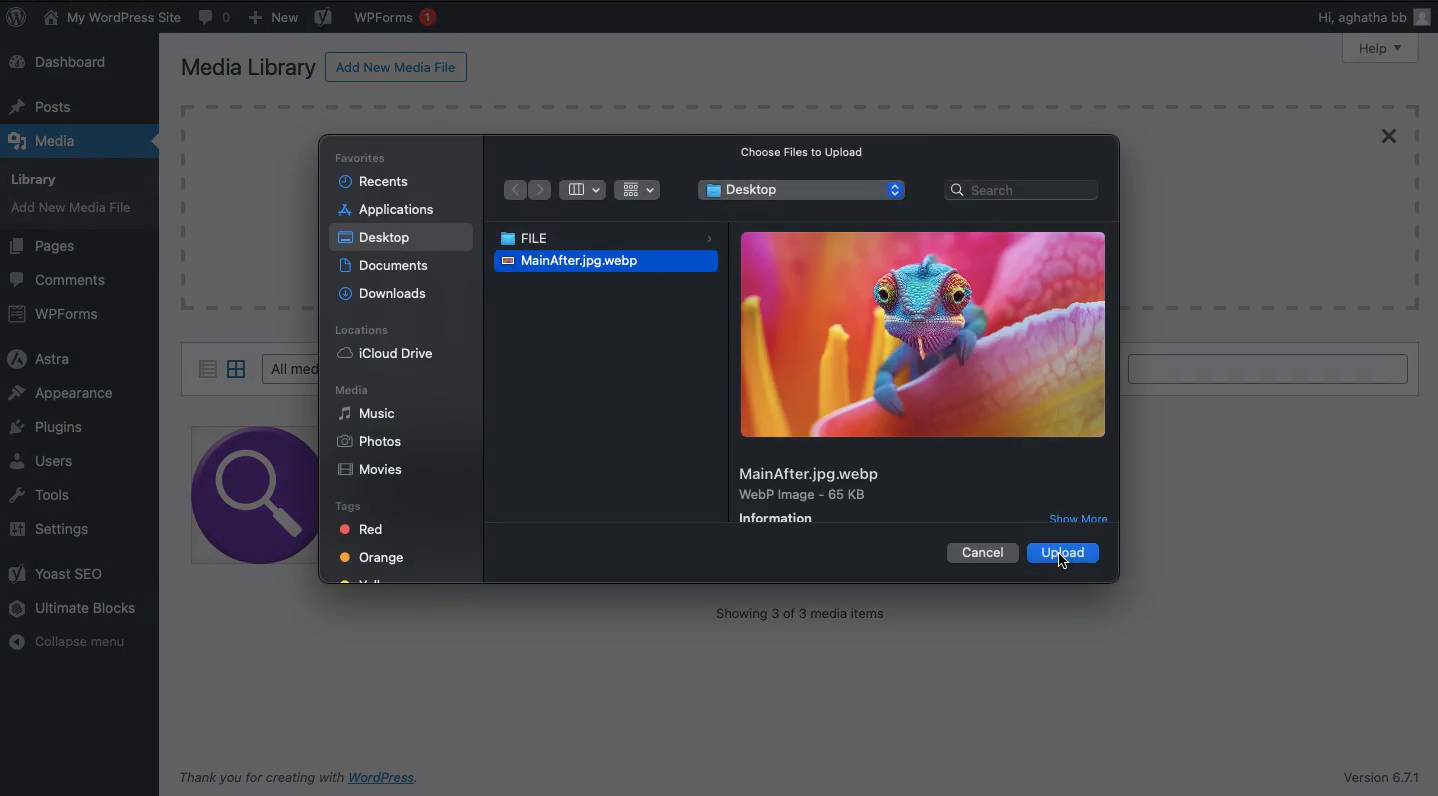 The width and height of the screenshot is (1438, 796). I want to click on Collapse menu, so click(71, 641).